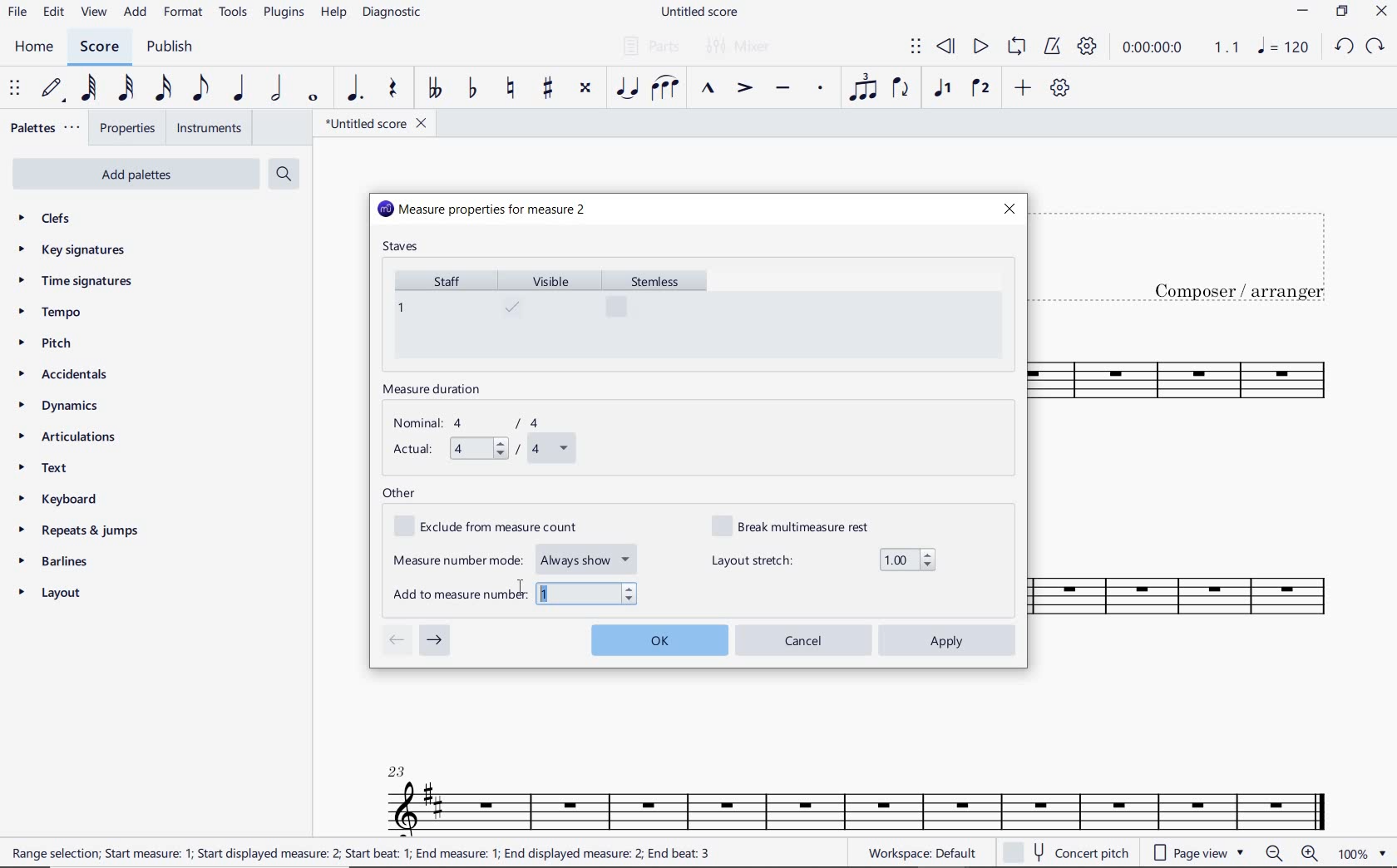 This screenshot has width=1397, height=868. Describe the element at coordinates (205, 127) in the screenshot. I see `INSTRUMENTS` at that location.